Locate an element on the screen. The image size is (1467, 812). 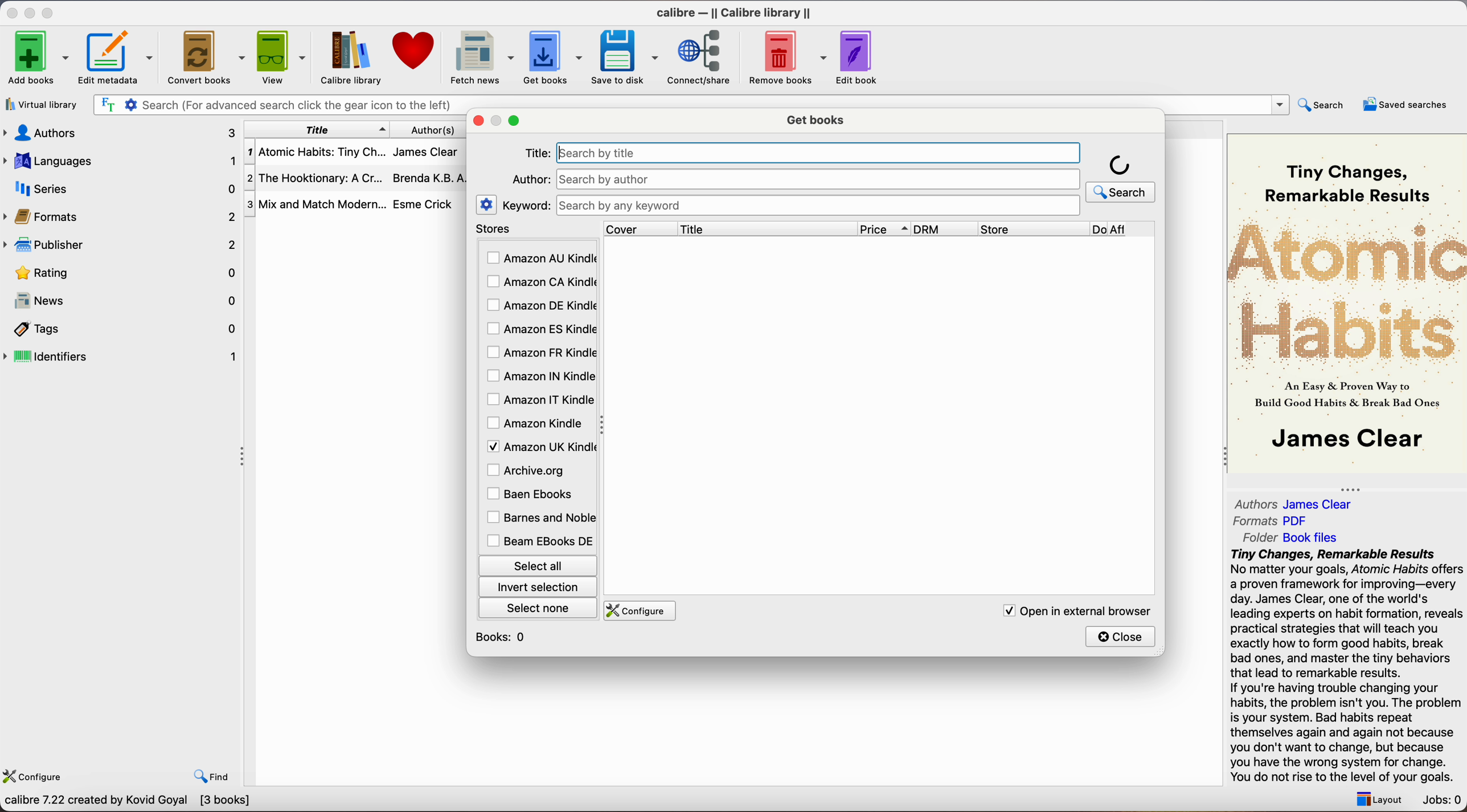
news is located at coordinates (123, 302).